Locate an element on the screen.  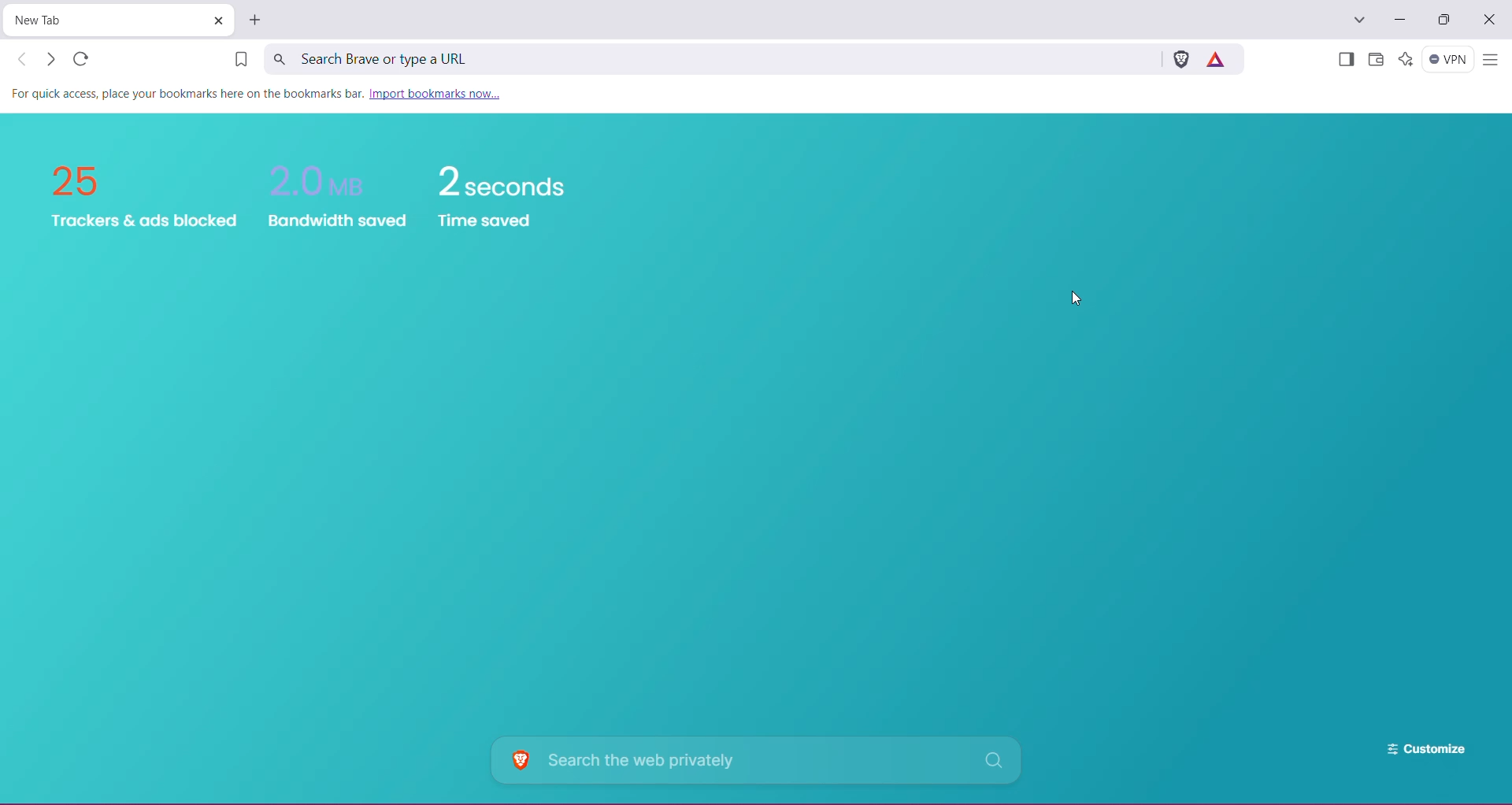
Customize and control Brave is located at coordinates (1490, 61).